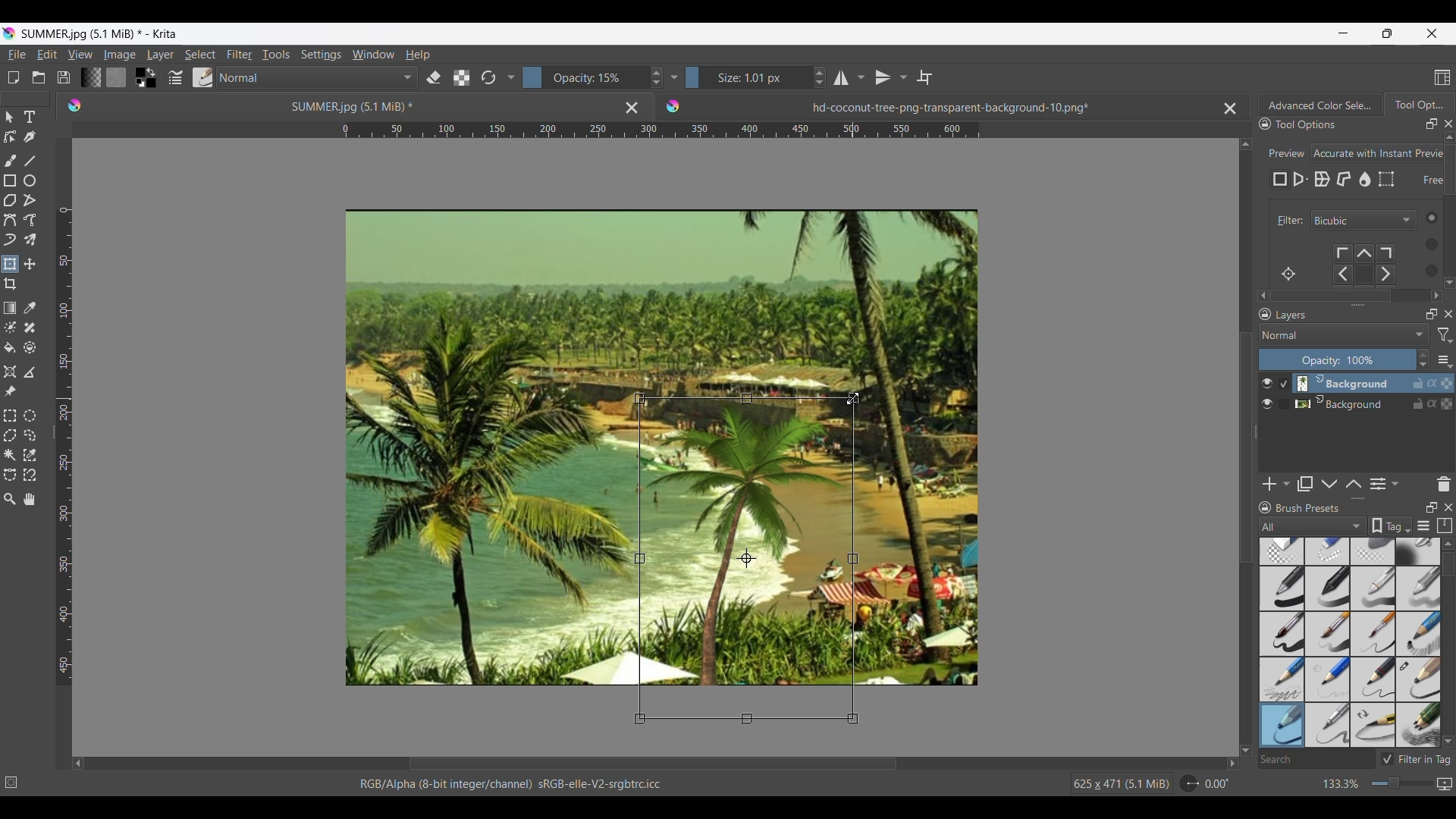  I want to click on Select shapes, so click(10, 117).